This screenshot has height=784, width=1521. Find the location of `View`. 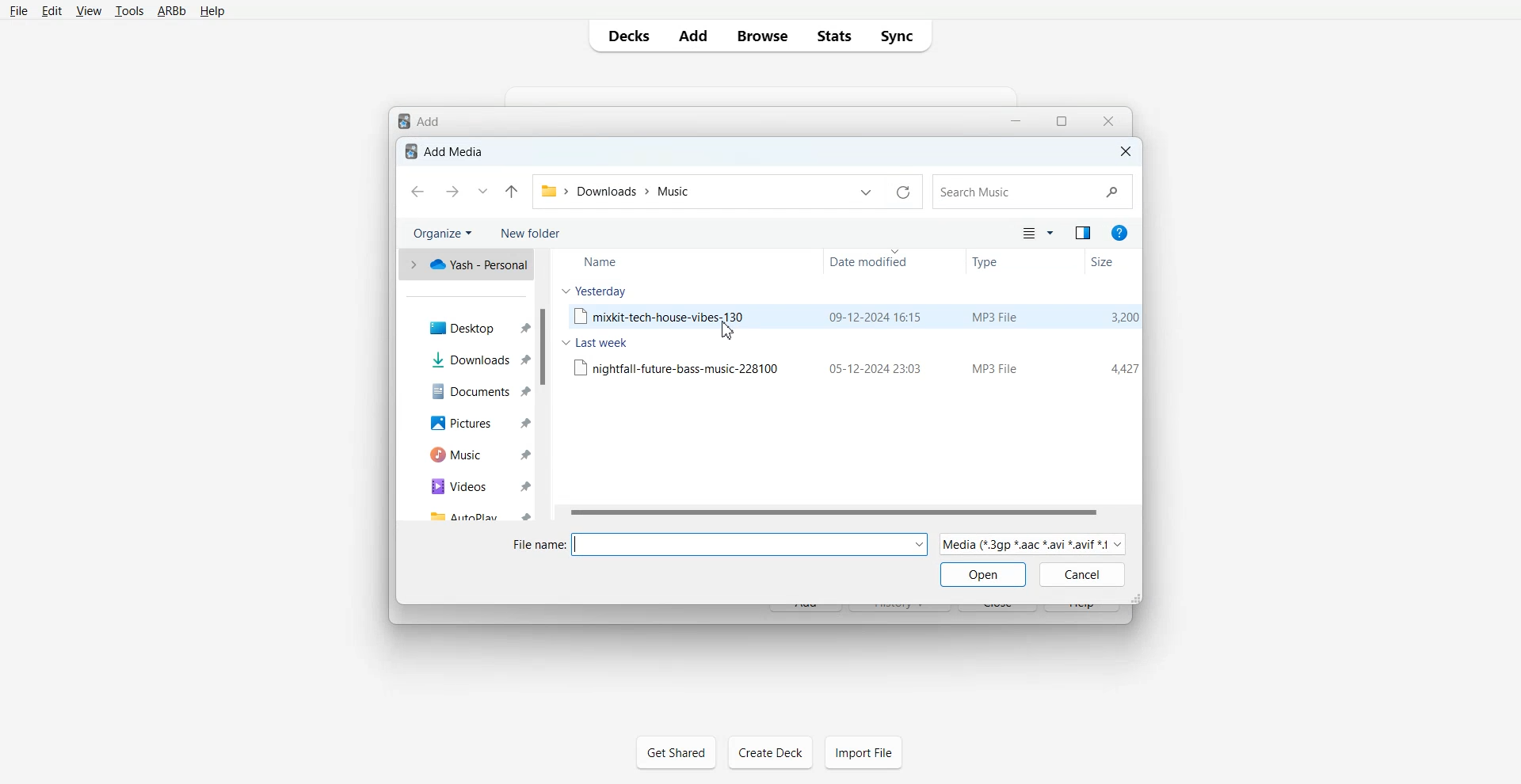

View is located at coordinates (87, 10).